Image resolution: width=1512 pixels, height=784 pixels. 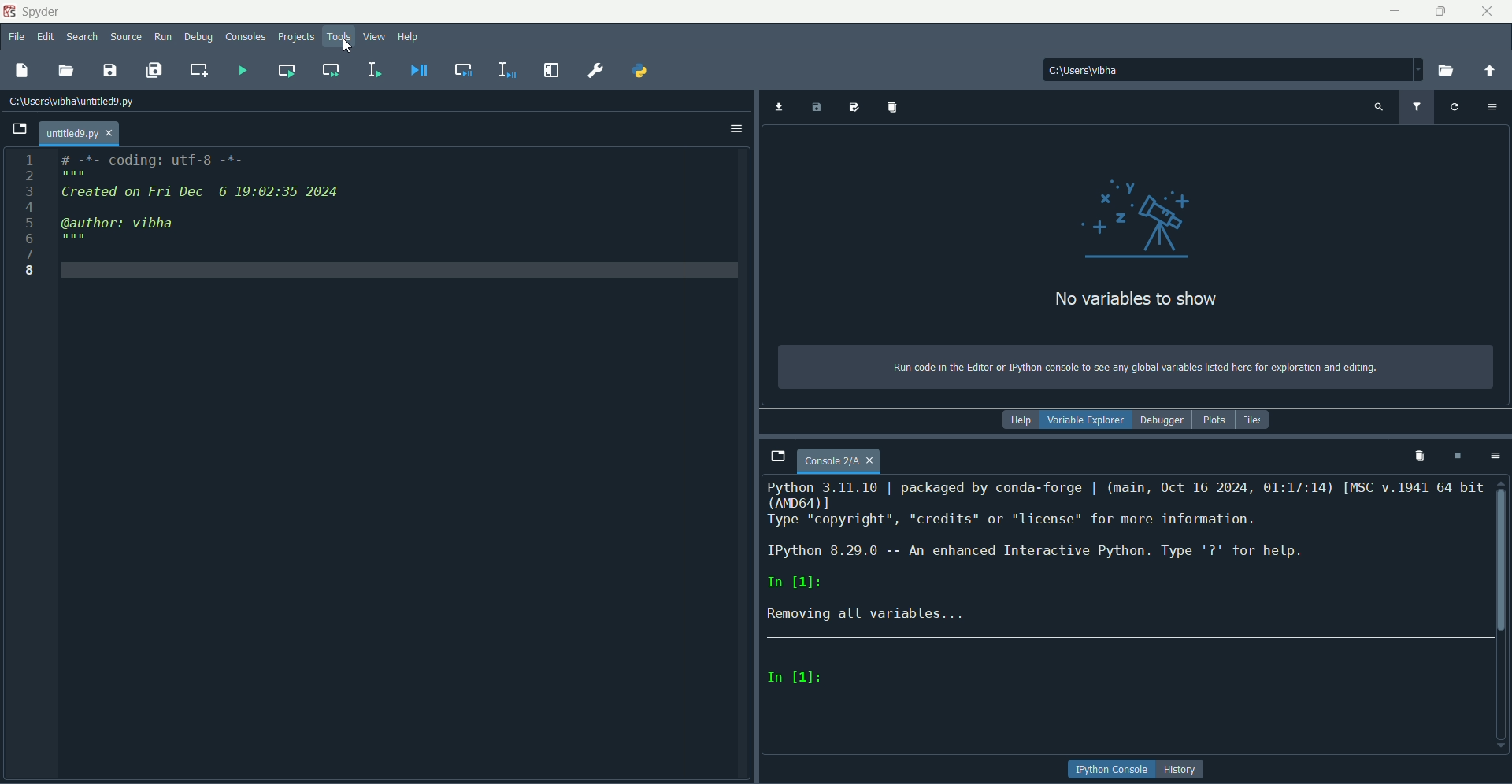 I want to click on options, so click(x=1492, y=455).